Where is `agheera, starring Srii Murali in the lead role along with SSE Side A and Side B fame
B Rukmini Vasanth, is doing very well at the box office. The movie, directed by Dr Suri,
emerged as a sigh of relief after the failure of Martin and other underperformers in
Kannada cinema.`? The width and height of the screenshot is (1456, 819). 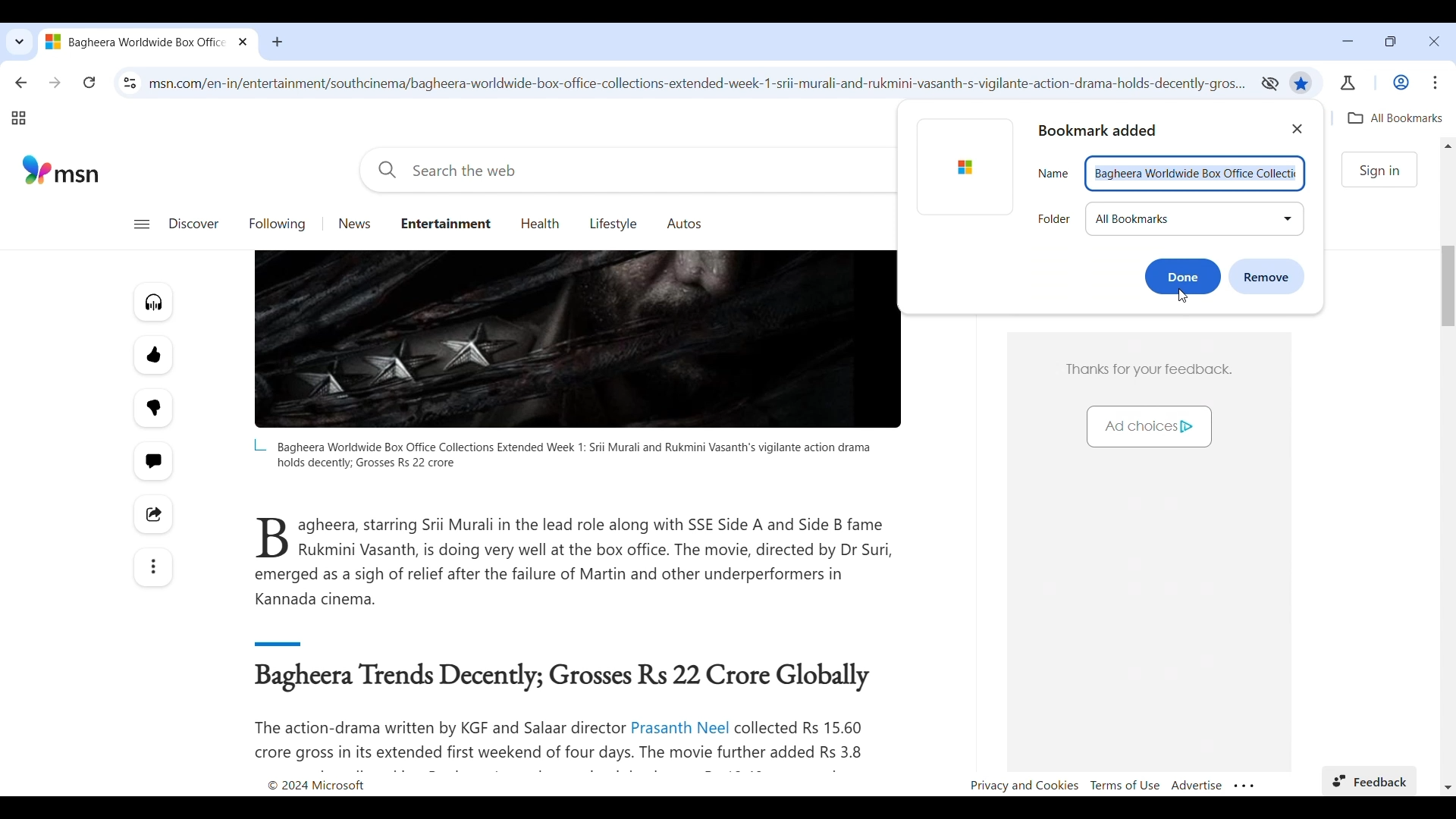
agheera, starring Srii Murali in the lead role along with SSE Side A and Side B fame
B Rukmini Vasanth, is doing very well at the box office. The movie, directed by Dr Suri,
emerged as a sigh of relief after the failure of Martin and other underperformers in
Kannada cinema. is located at coordinates (576, 562).